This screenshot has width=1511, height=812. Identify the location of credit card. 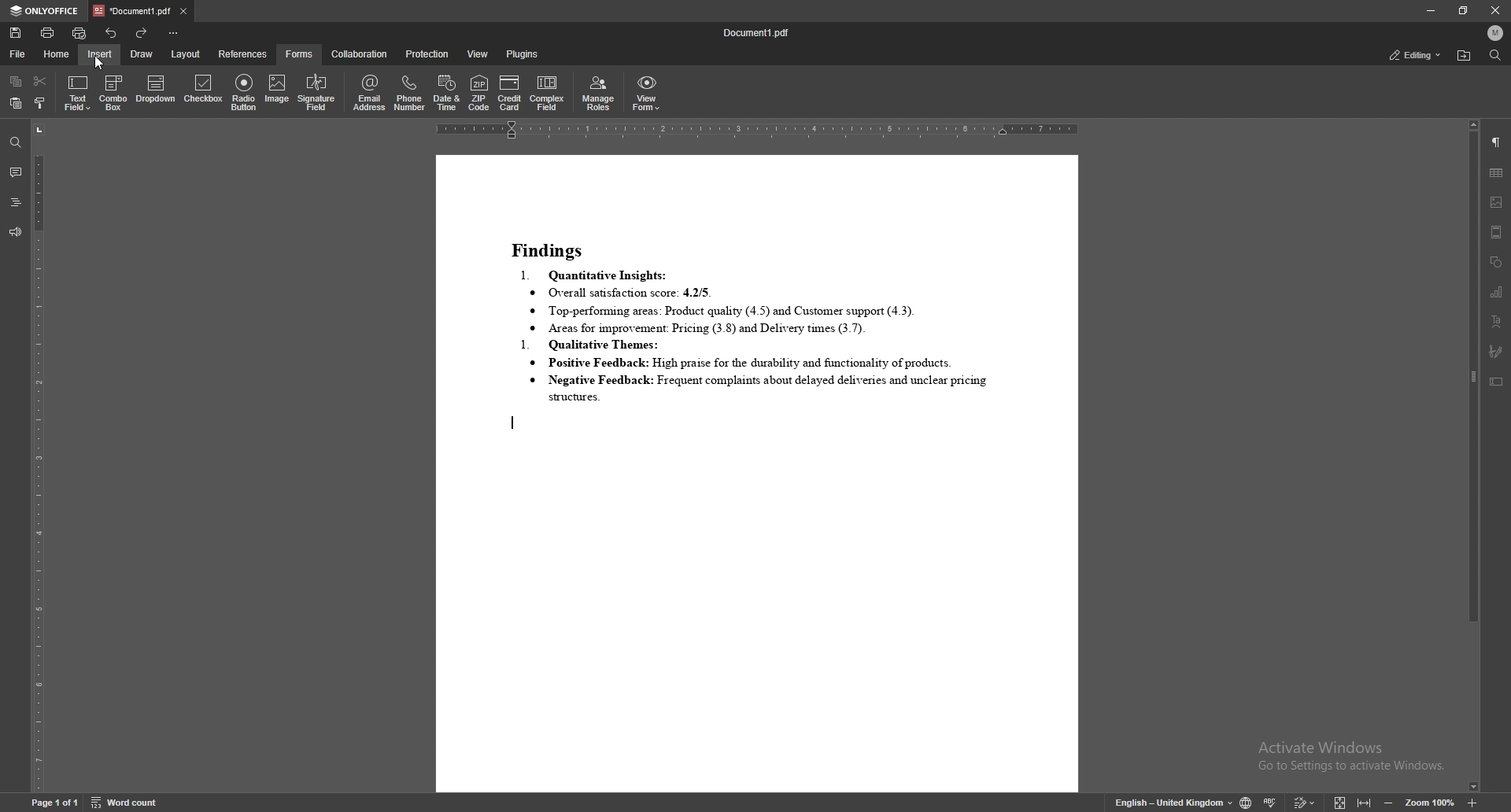
(511, 92).